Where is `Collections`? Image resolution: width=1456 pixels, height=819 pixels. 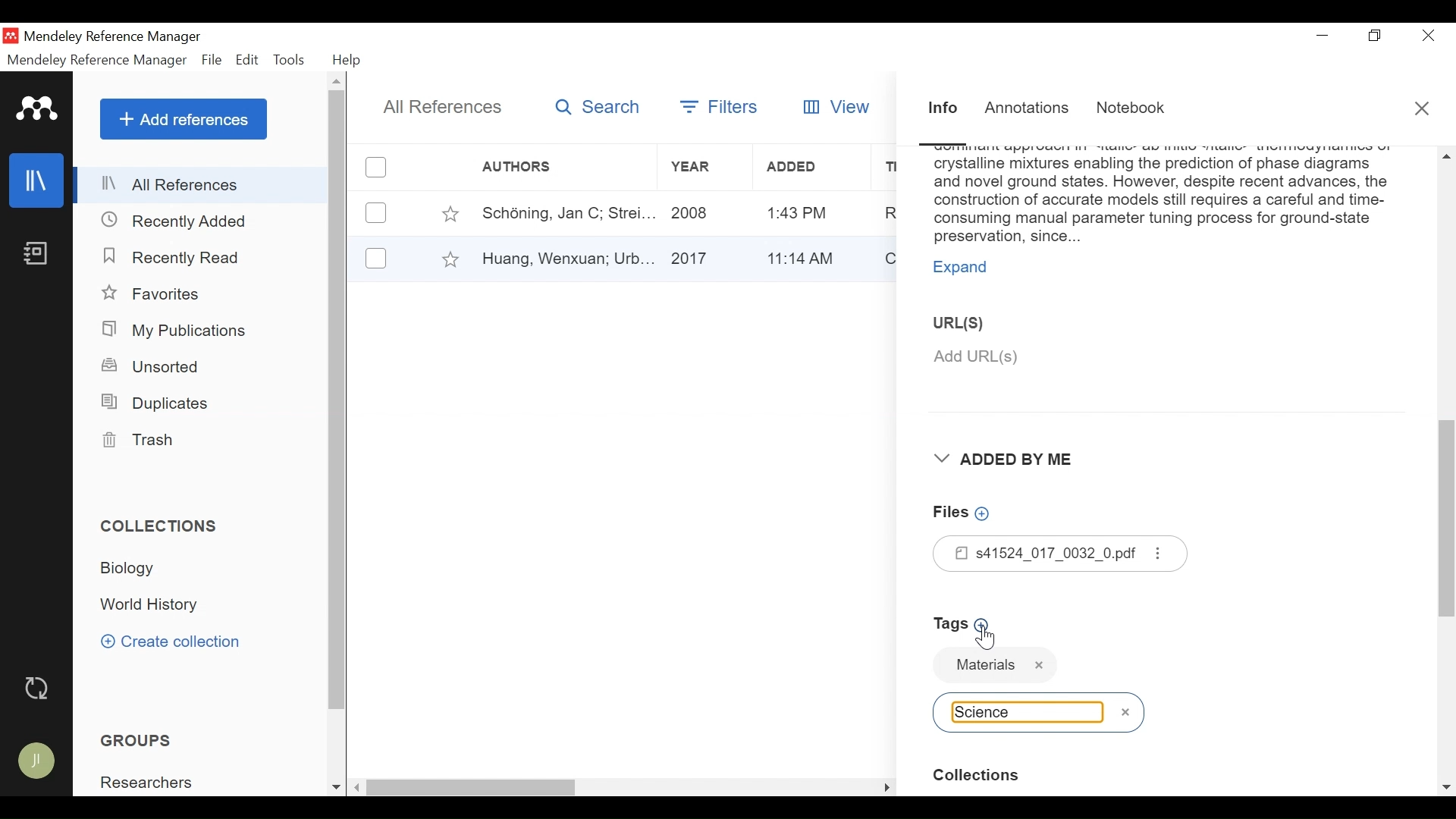 Collections is located at coordinates (161, 526).